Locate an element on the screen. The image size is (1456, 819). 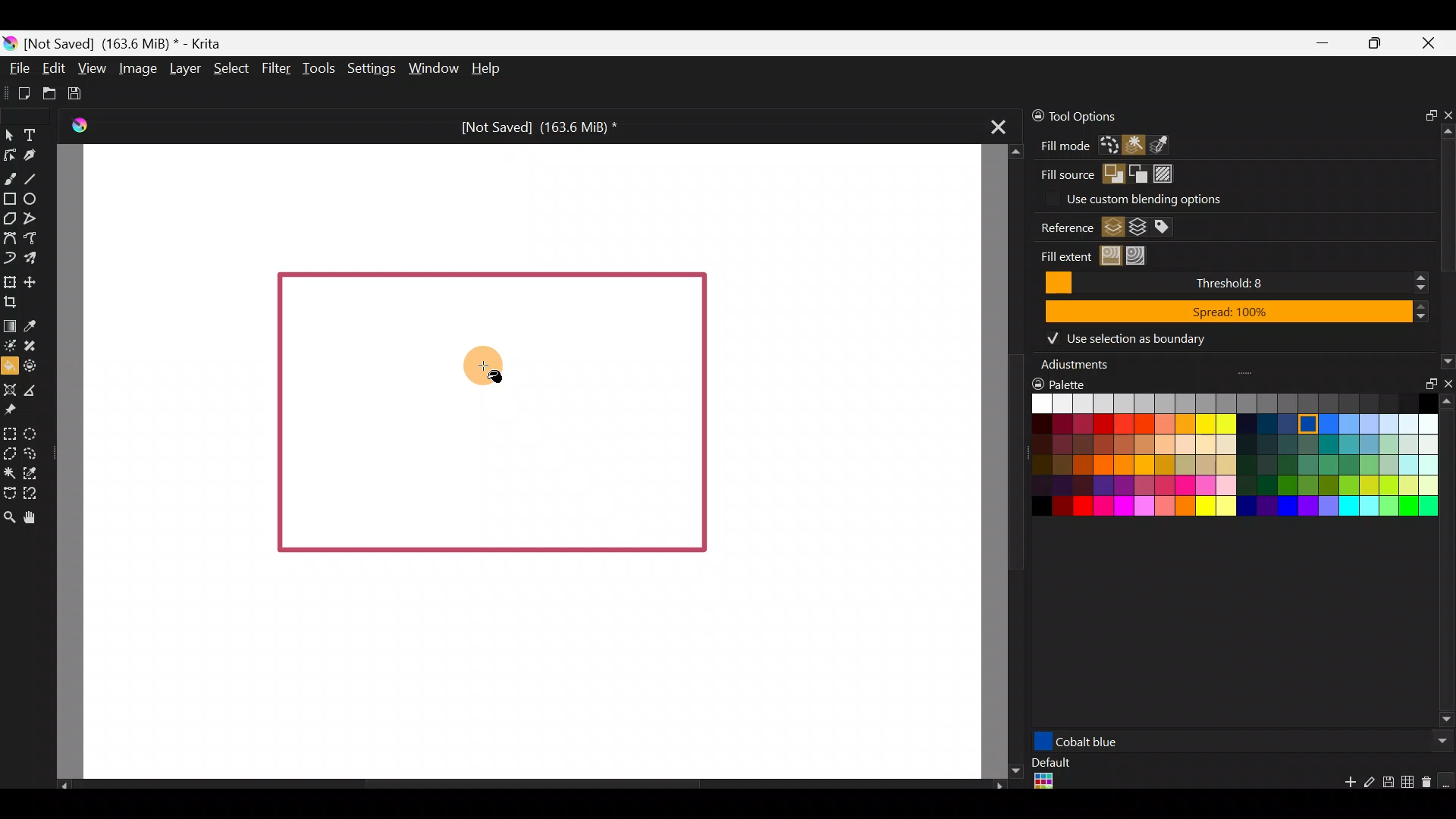
Help is located at coordinates (489, 70).